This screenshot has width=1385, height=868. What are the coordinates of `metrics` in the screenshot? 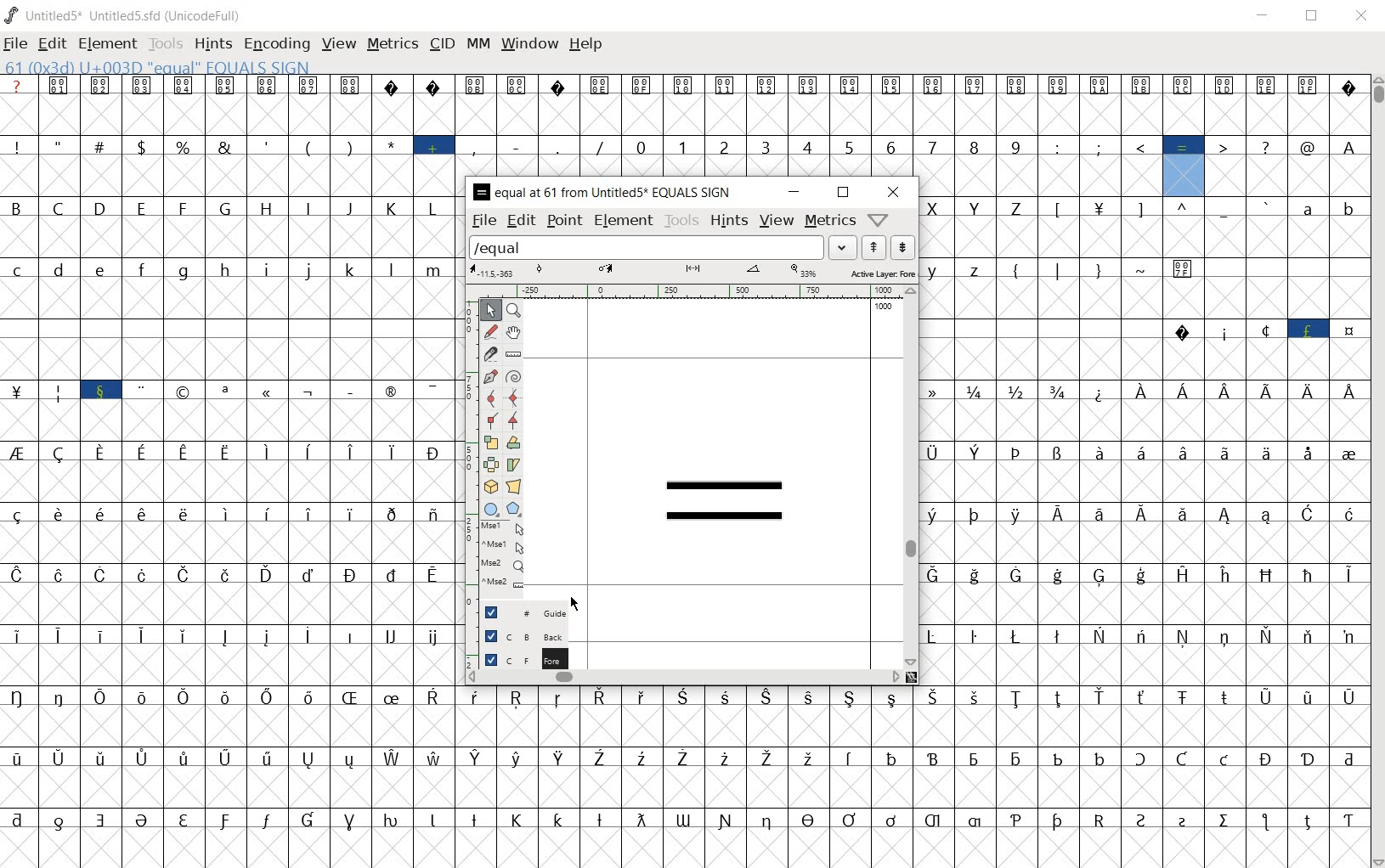 It's located at (392, 44).